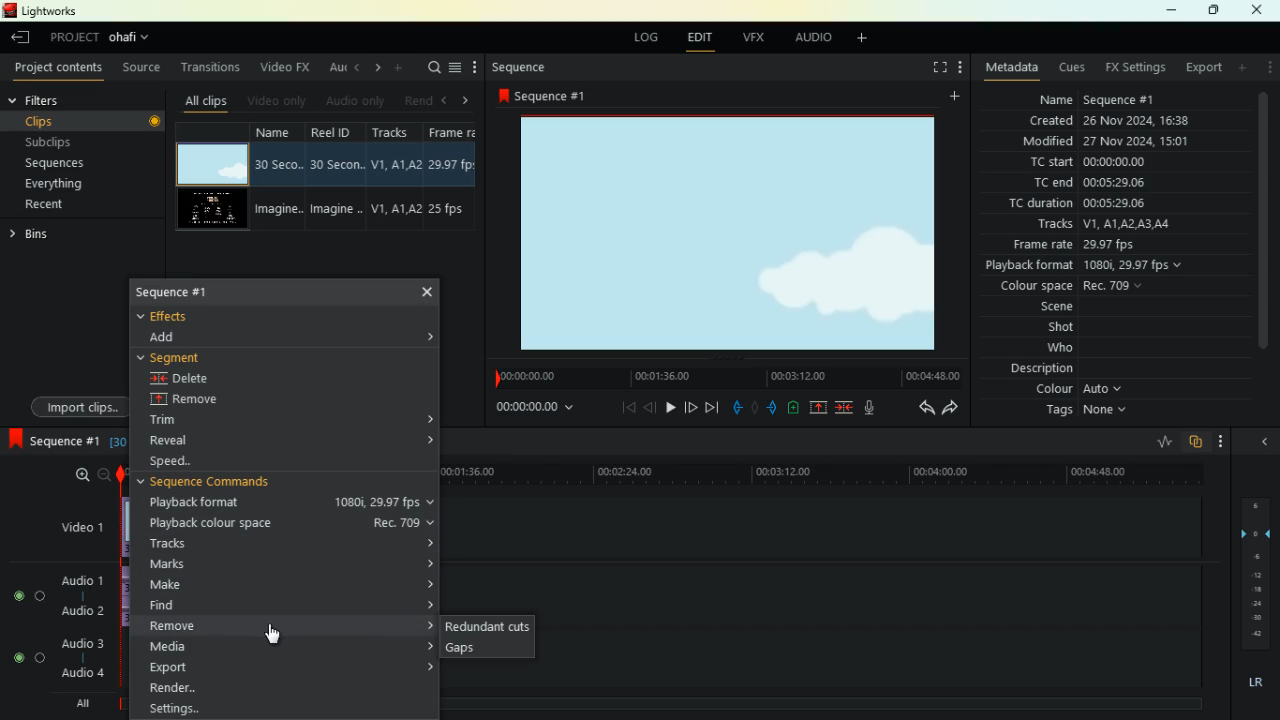  Describe the element at coordinates (54, 184) in the screenshot. I see `everything` at that location.